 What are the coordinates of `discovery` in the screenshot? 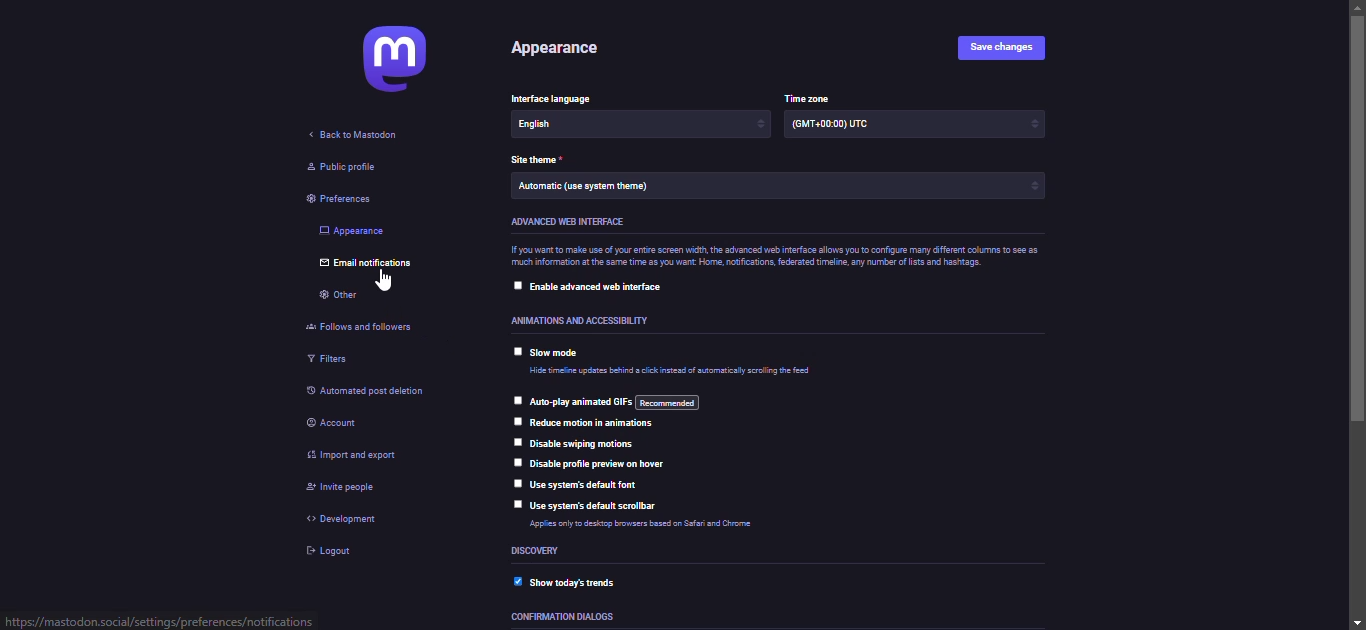 It's located at (536, 552).